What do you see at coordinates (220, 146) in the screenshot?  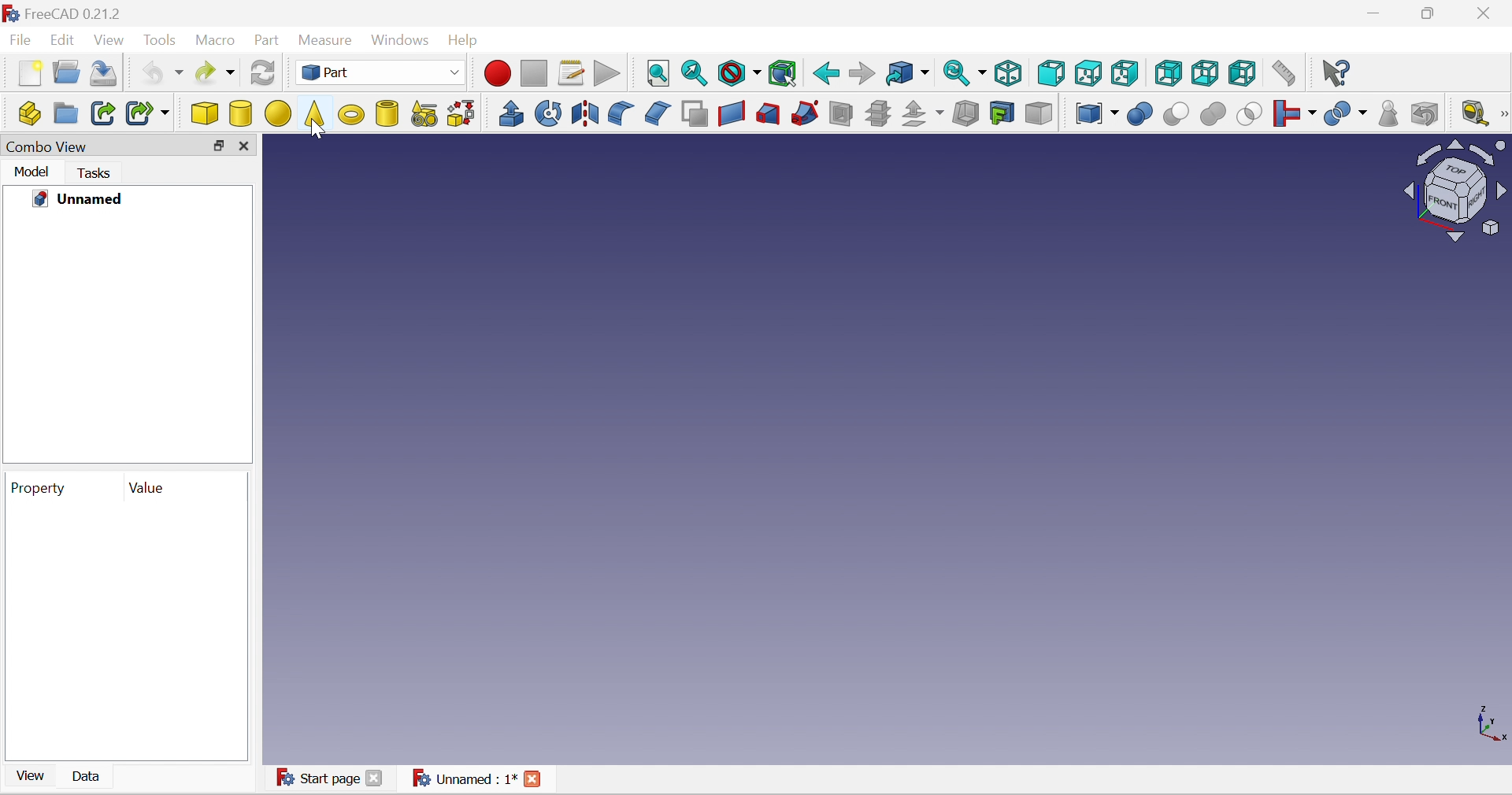 I see `Restore down` at bounding box center [220, 146].